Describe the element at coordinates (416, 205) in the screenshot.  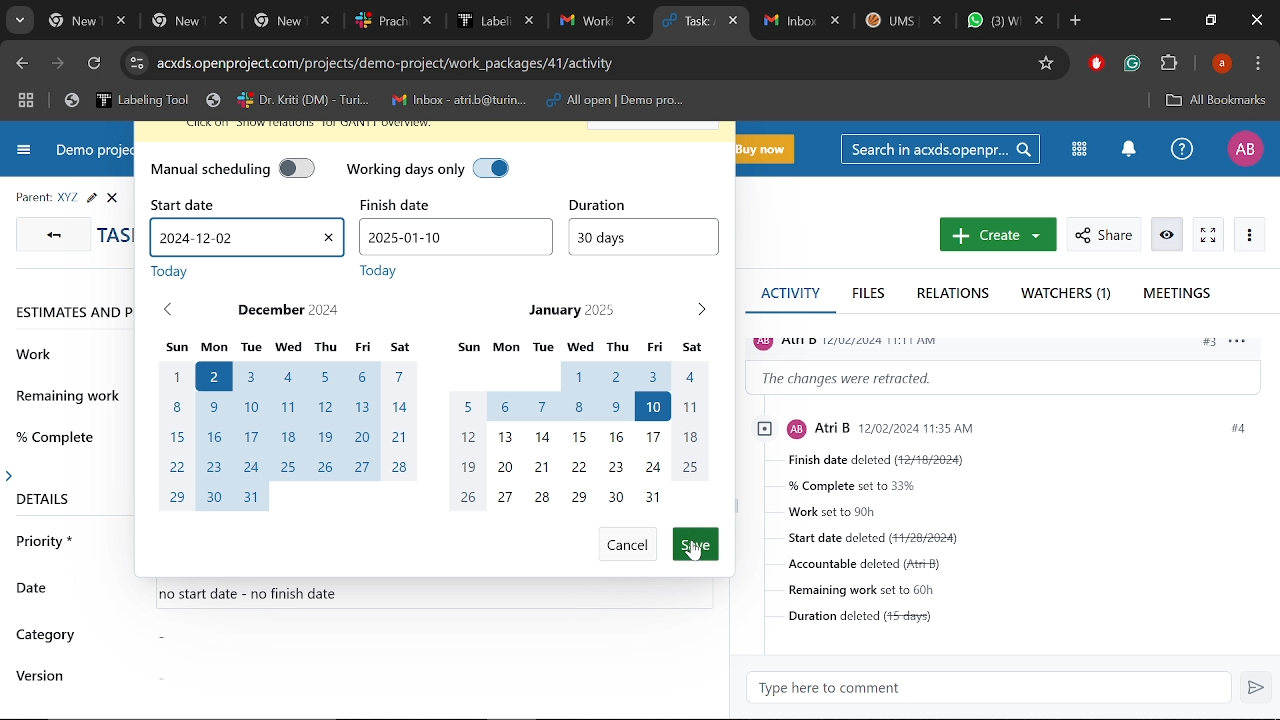
I see `finish date` at that location.